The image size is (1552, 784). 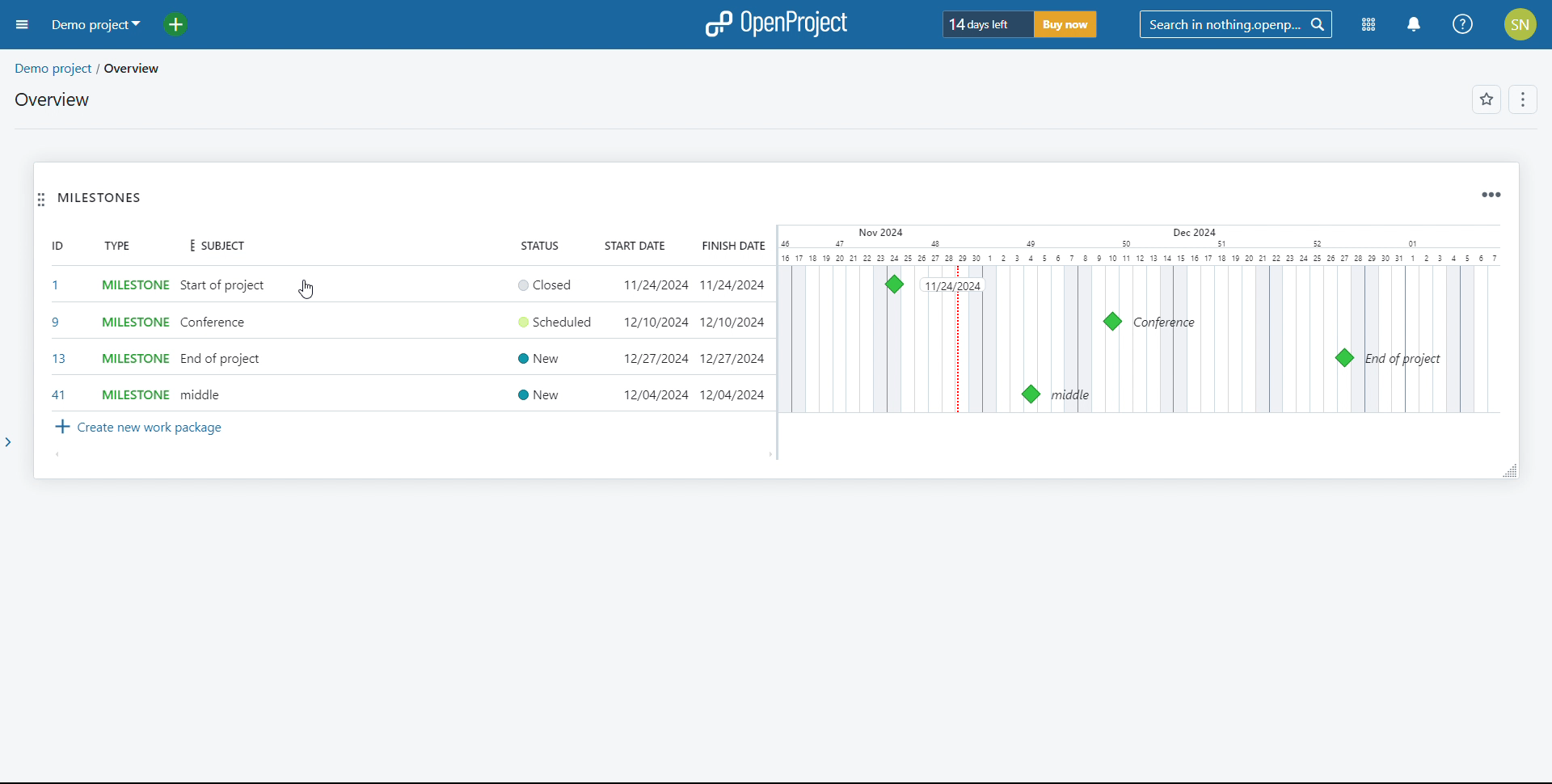 I want to click on widget options, so click(x=1492, y=193).